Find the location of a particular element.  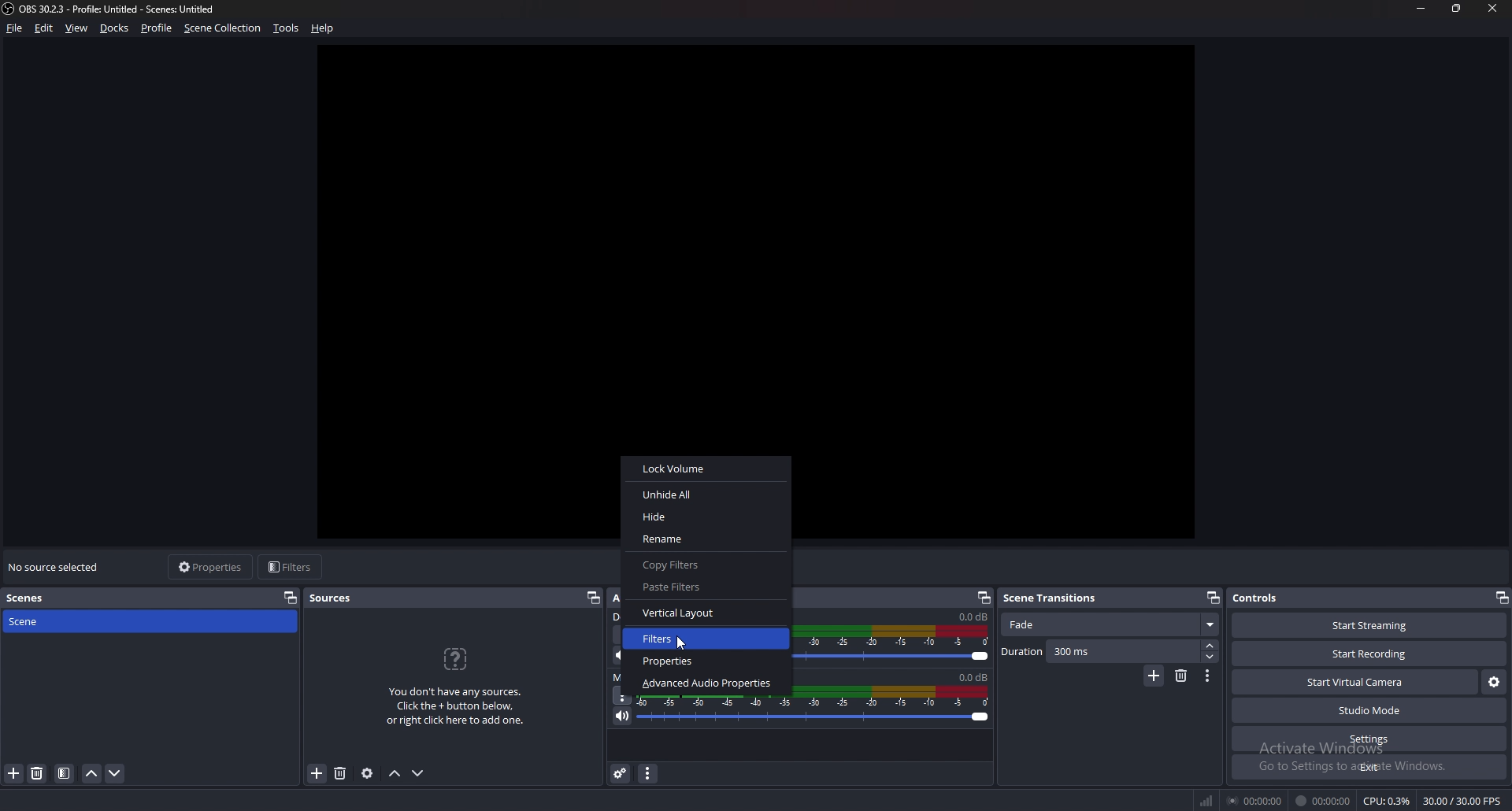

move source up is located at coordinates (395, 774).